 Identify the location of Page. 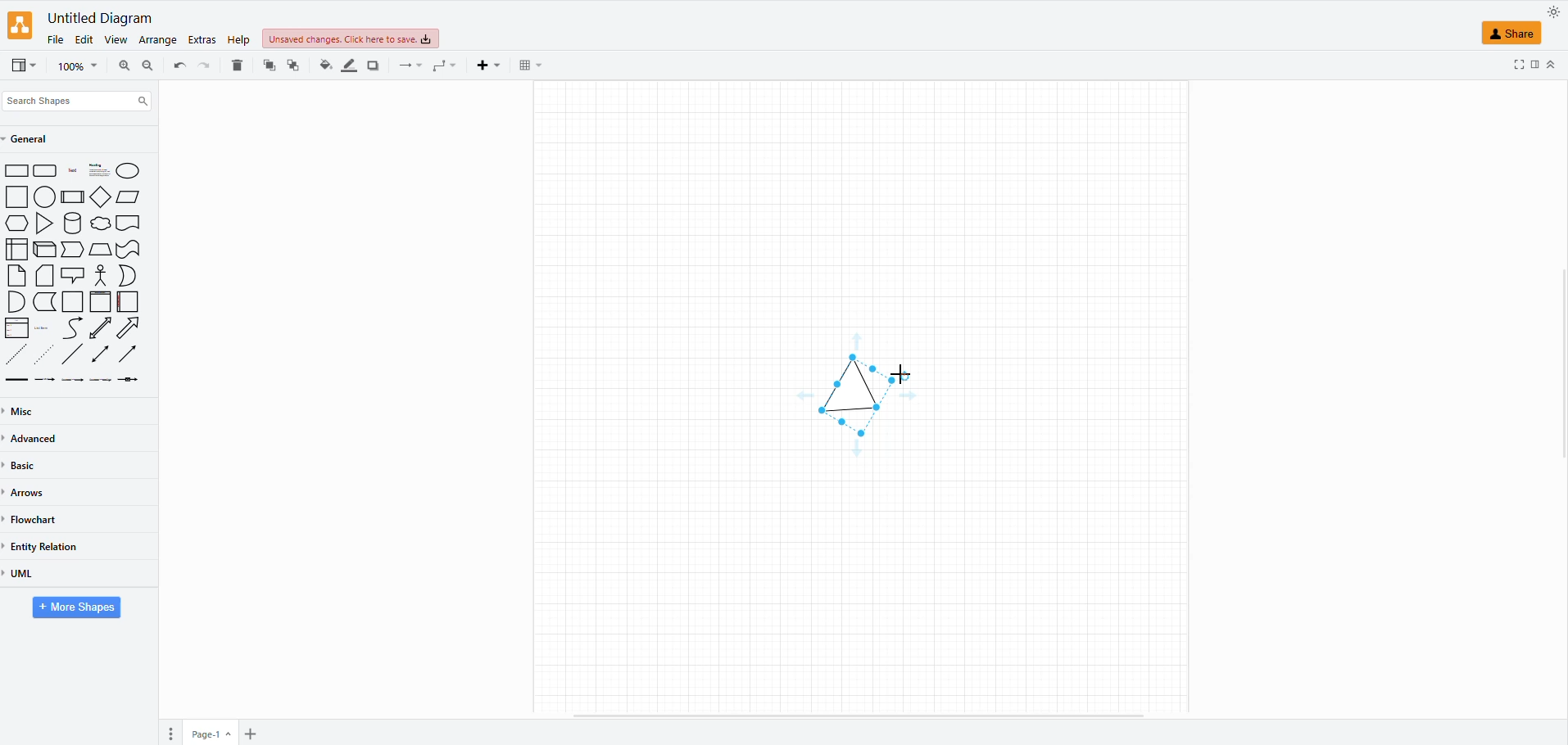
(73, 302).